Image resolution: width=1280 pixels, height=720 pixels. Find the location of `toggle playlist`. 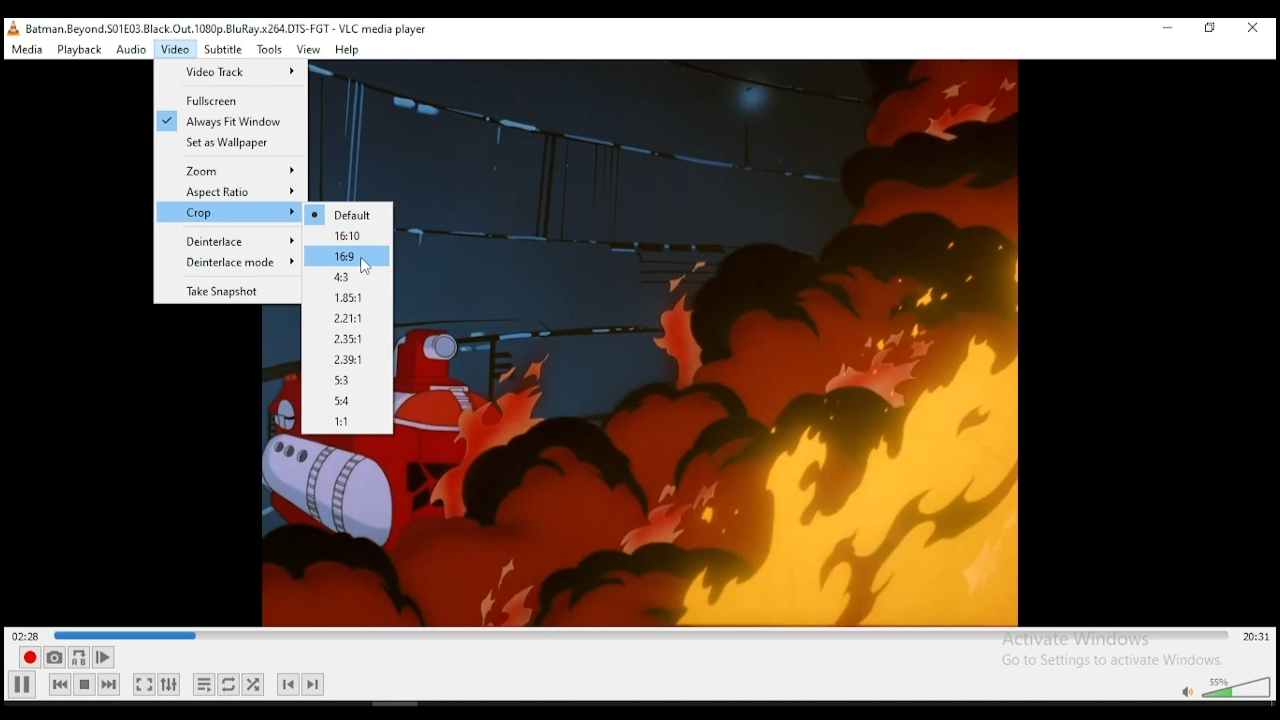

toggle playlist is located at coordinates (205, 684).